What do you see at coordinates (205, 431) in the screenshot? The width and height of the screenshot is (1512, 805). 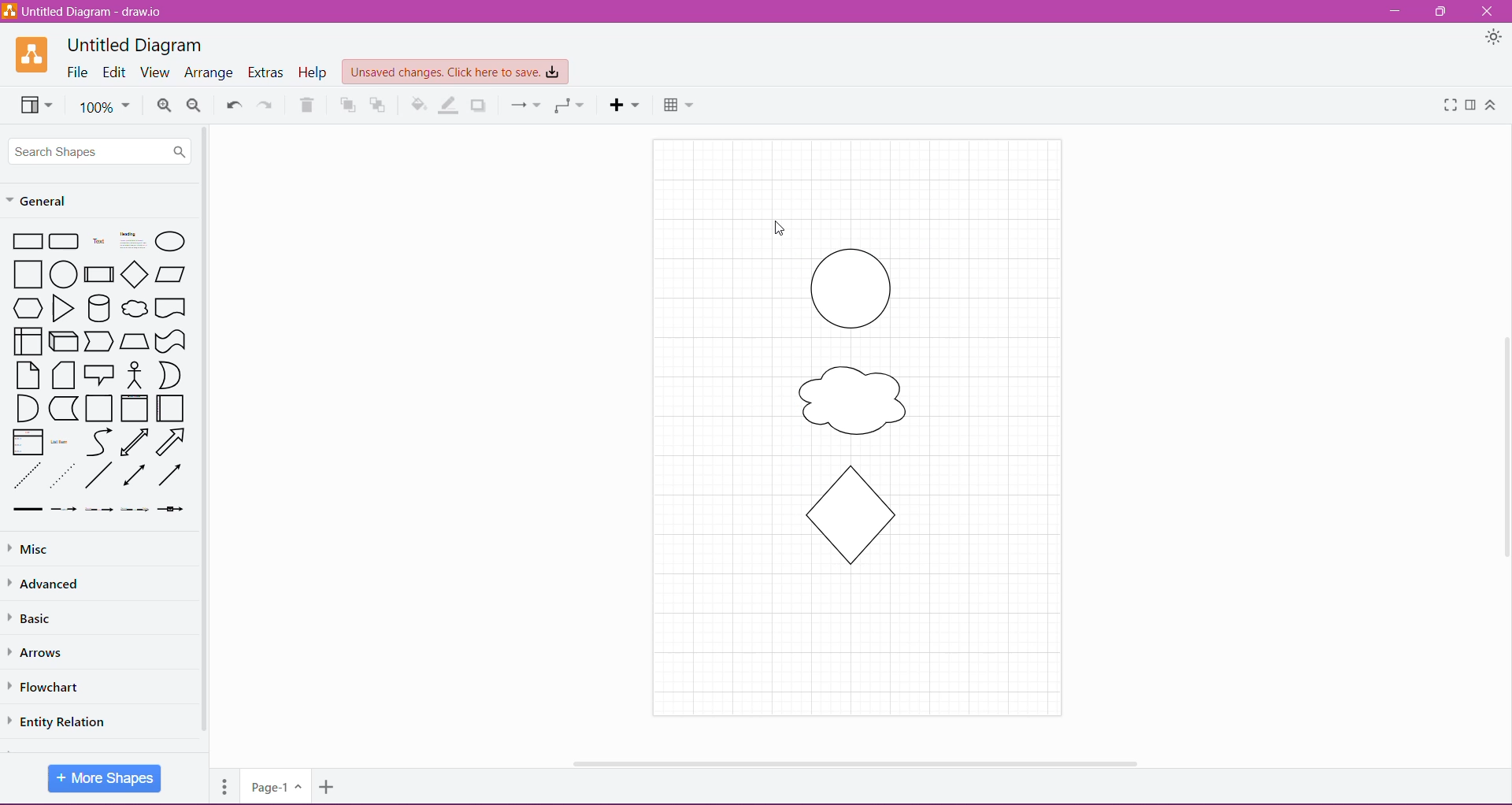 I see `Vertical Scroll Bar` at bounding box center [205, 431].